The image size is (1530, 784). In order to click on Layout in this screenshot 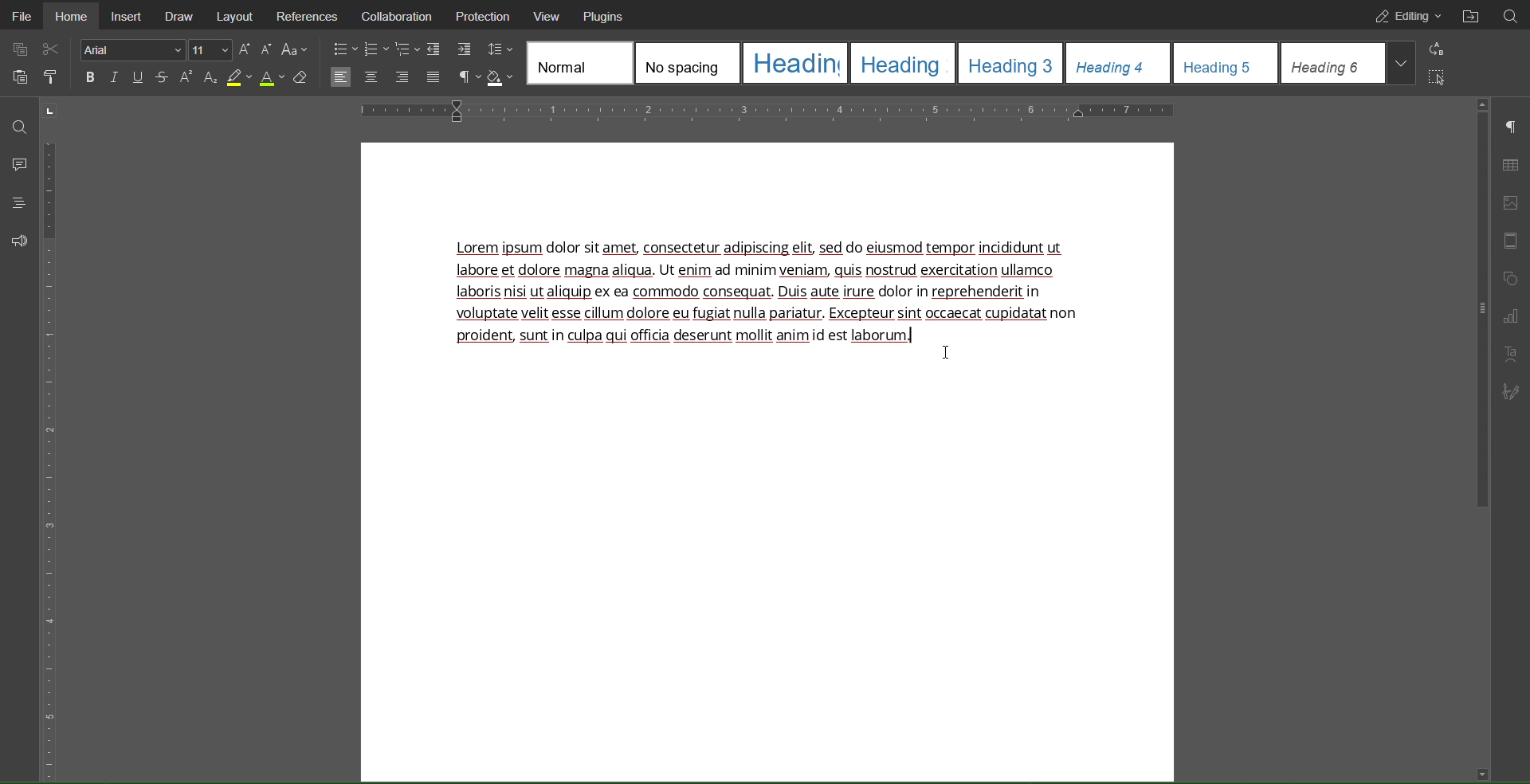, I will do `click(235, 15)`.